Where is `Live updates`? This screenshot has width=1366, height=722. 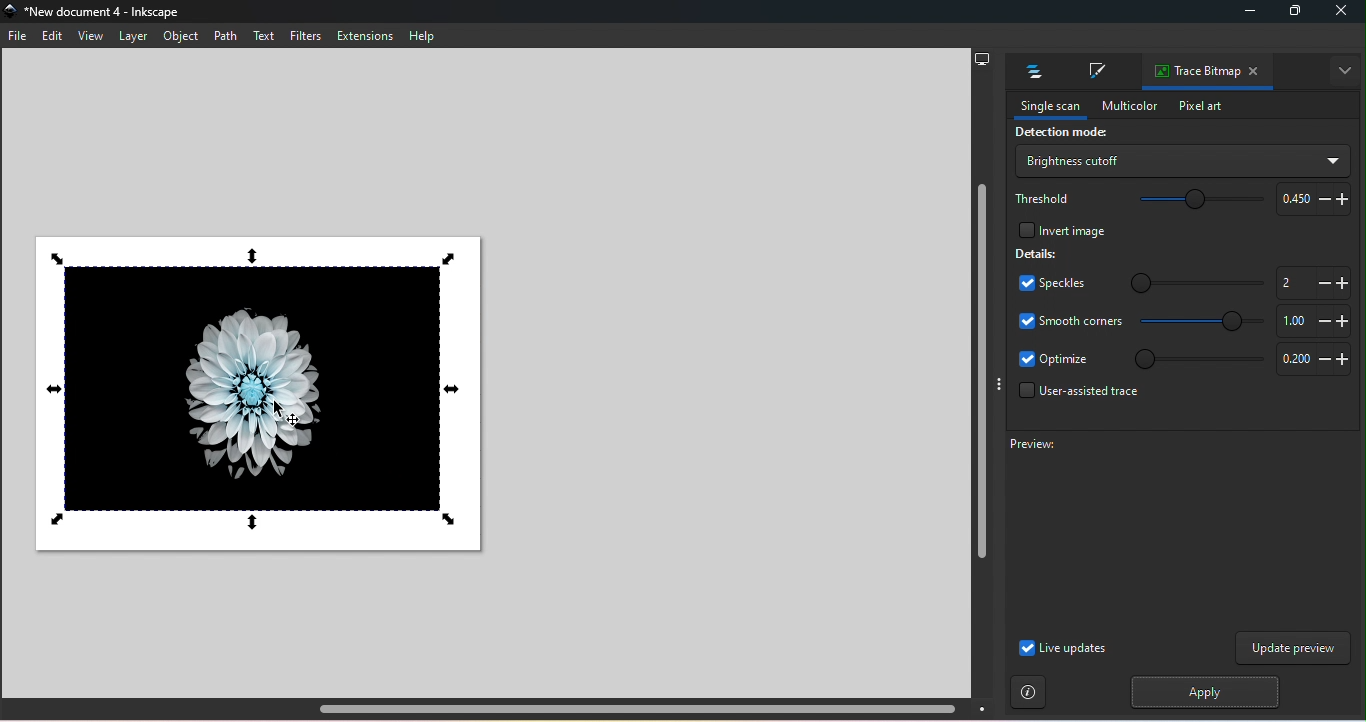 Live updates is located at coordinates (1062, 648).